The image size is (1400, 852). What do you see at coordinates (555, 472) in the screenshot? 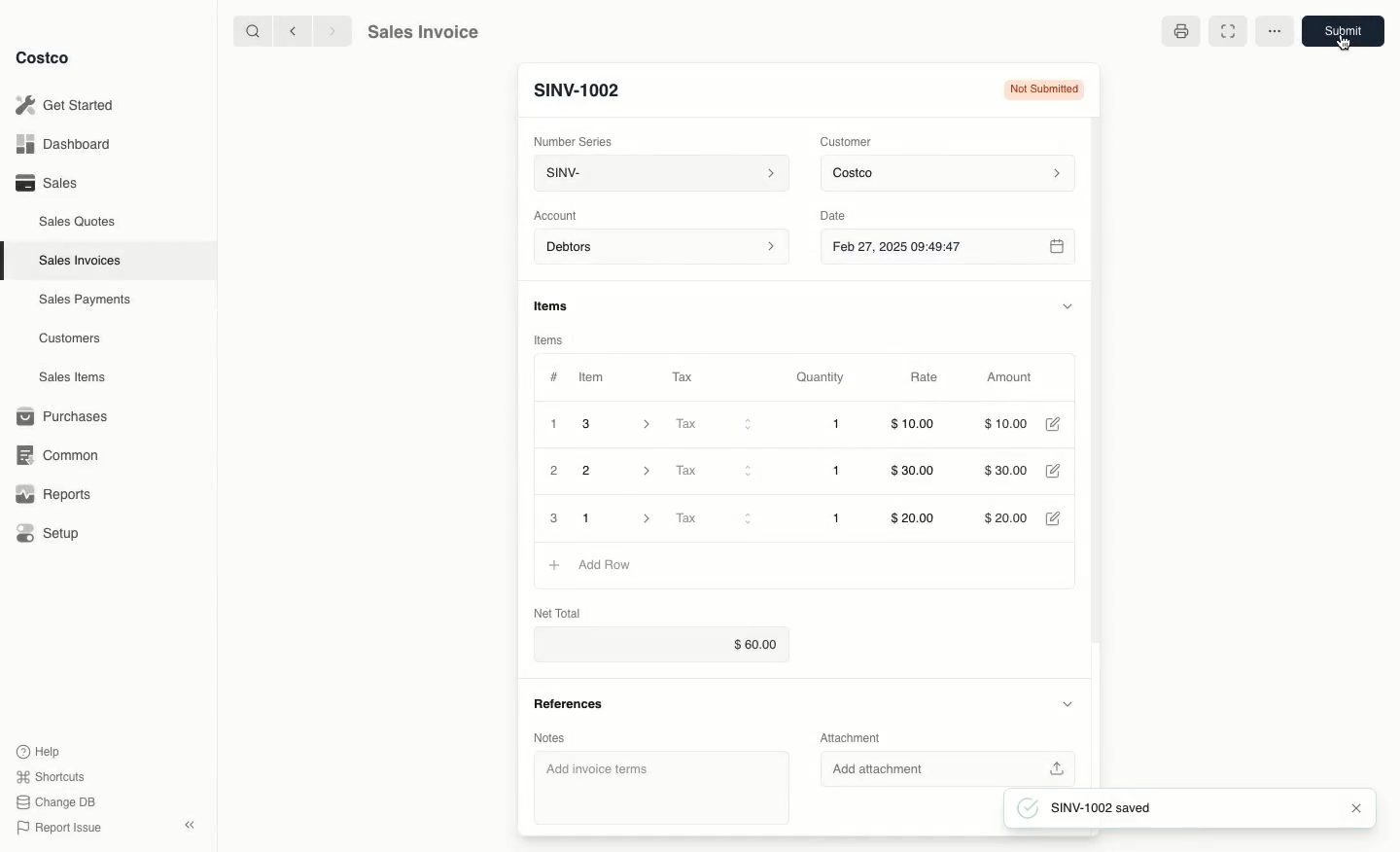
I see `2` at bounding box center [555, 472].